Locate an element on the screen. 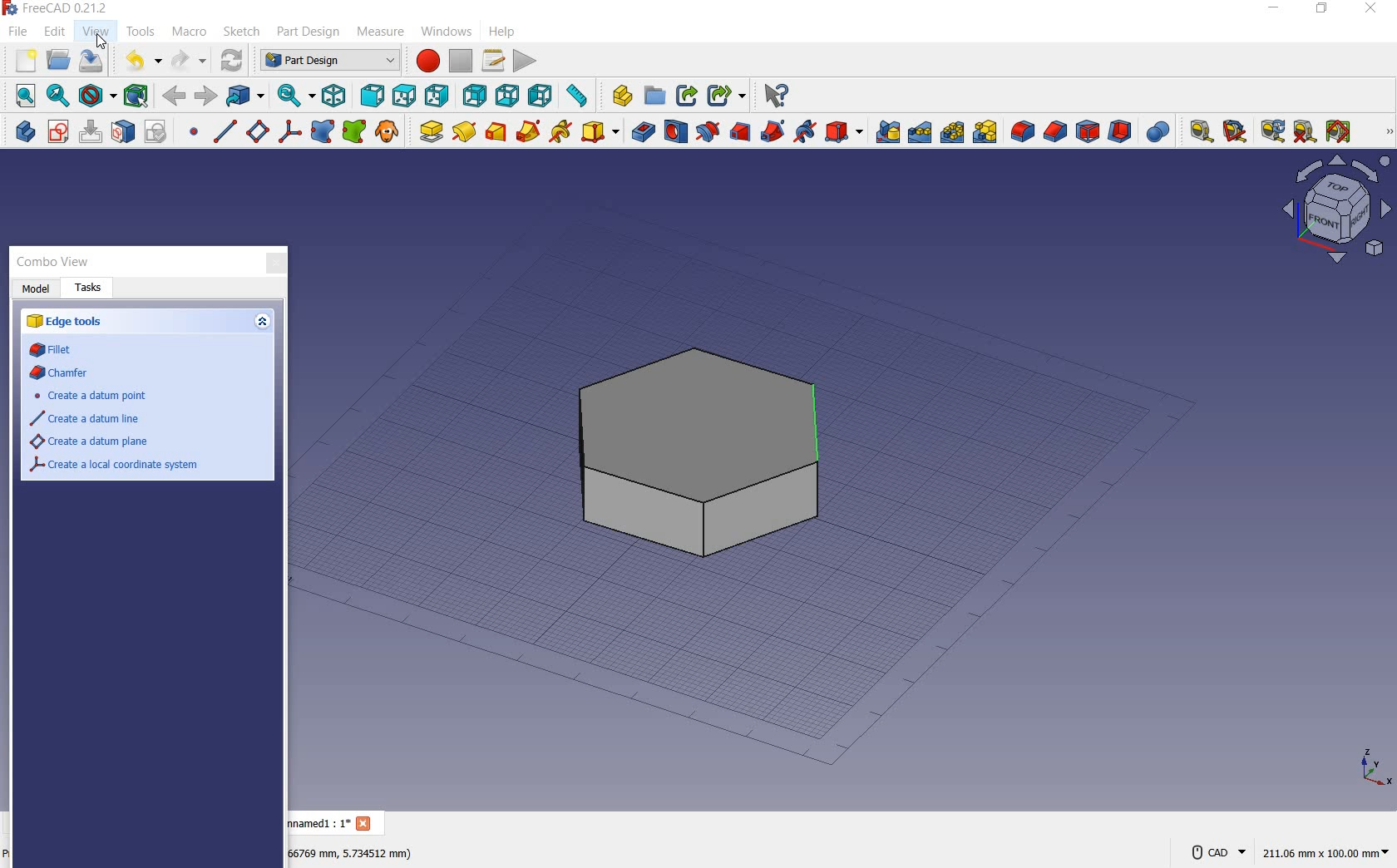 The height and width of the screenshot is (868, 1397). top is located at coordinates (402, 94).